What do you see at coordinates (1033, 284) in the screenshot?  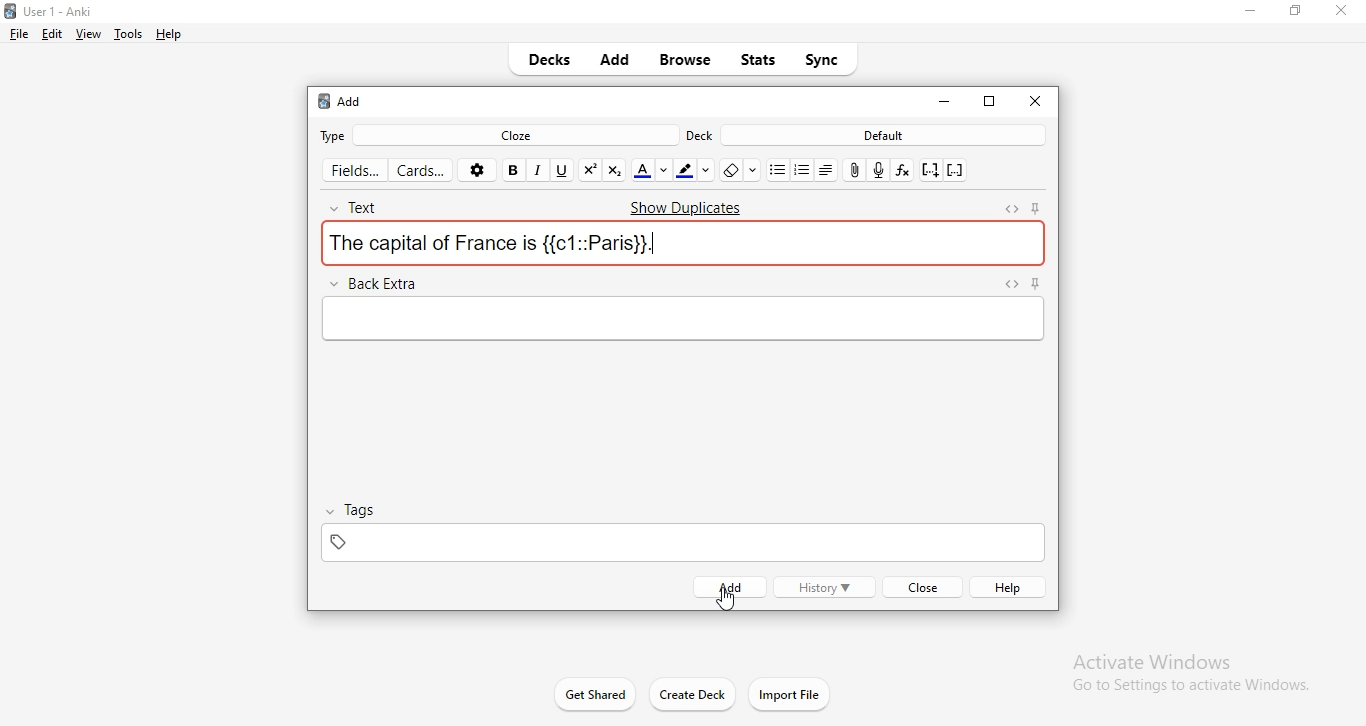 I see `pin` at bounding box center [1033, 284].